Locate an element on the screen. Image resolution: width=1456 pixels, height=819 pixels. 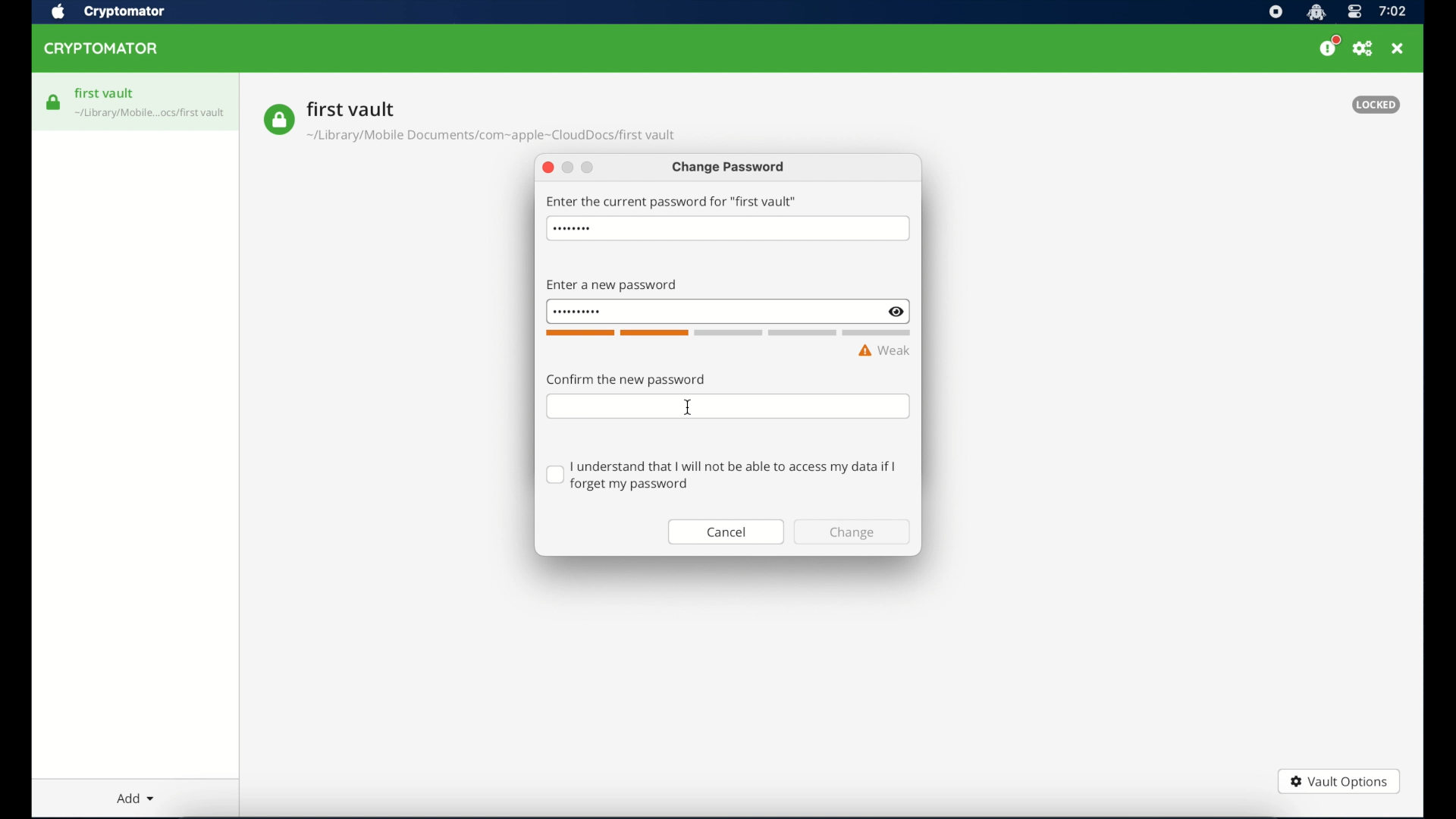
cryptomator is located at coordinates (102, 49).